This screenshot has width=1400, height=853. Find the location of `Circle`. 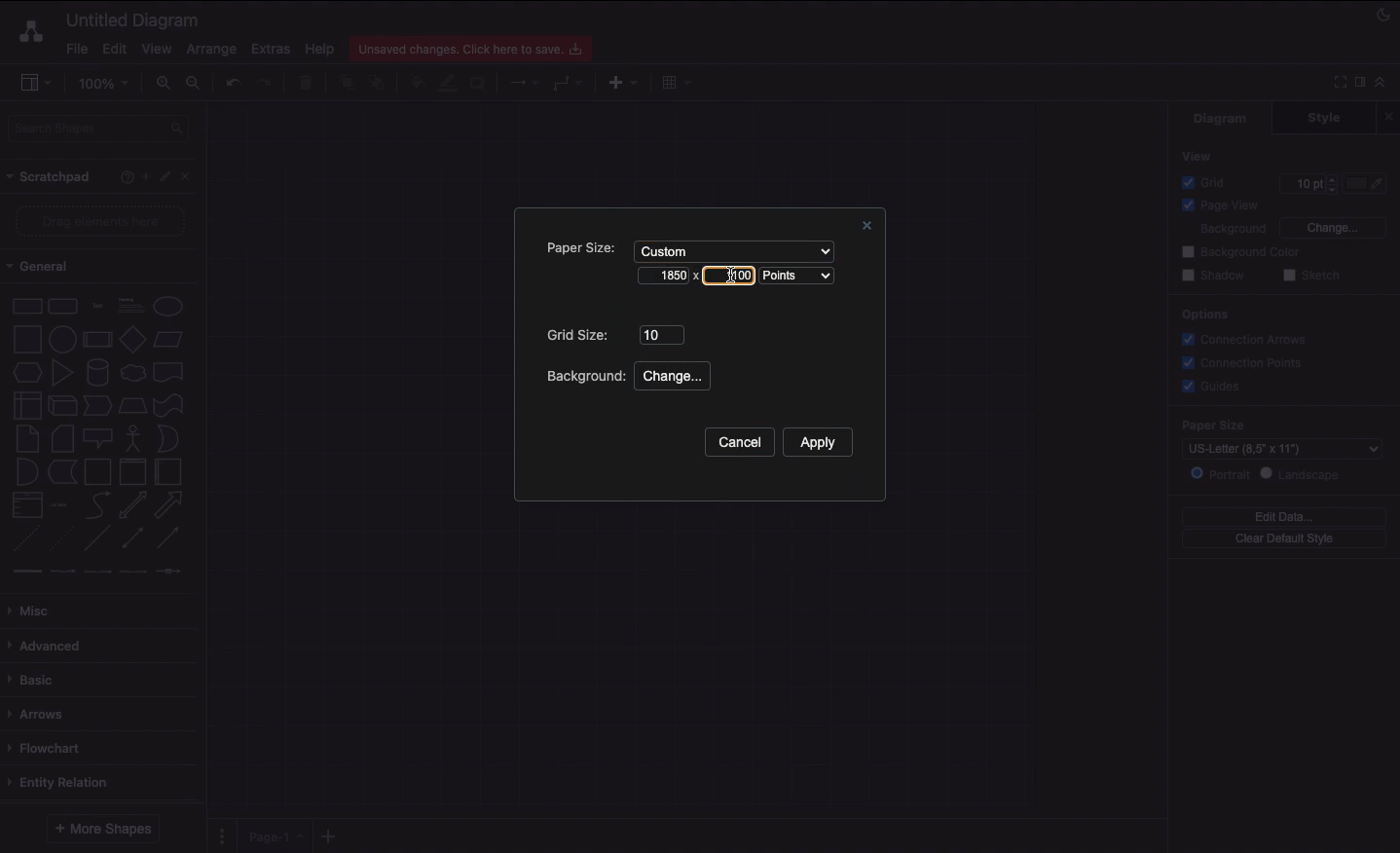

Circle is located at coordinates (168, 306).